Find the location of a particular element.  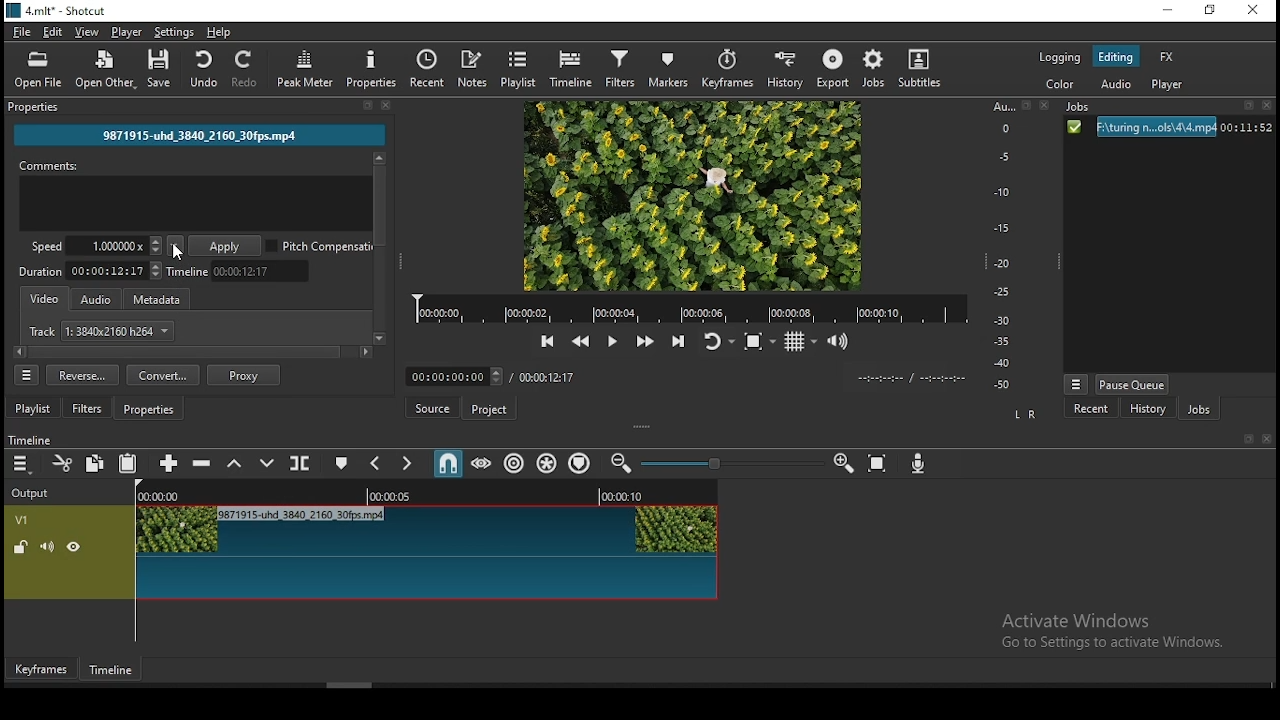

create/edit marker is located at coordinates (342, 462).